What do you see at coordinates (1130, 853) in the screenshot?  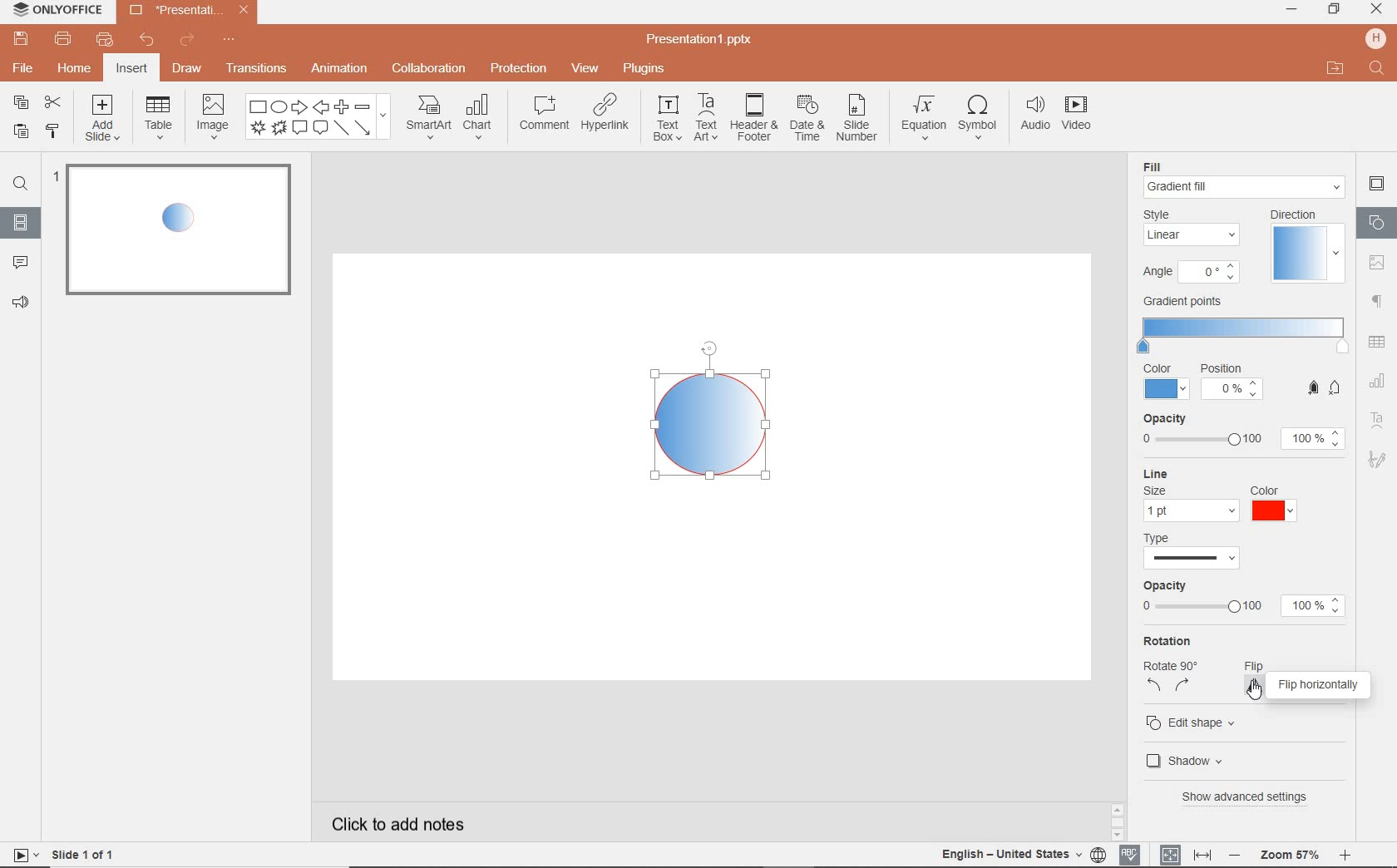 I see `spell checking` at bounding box center [1130, 853].